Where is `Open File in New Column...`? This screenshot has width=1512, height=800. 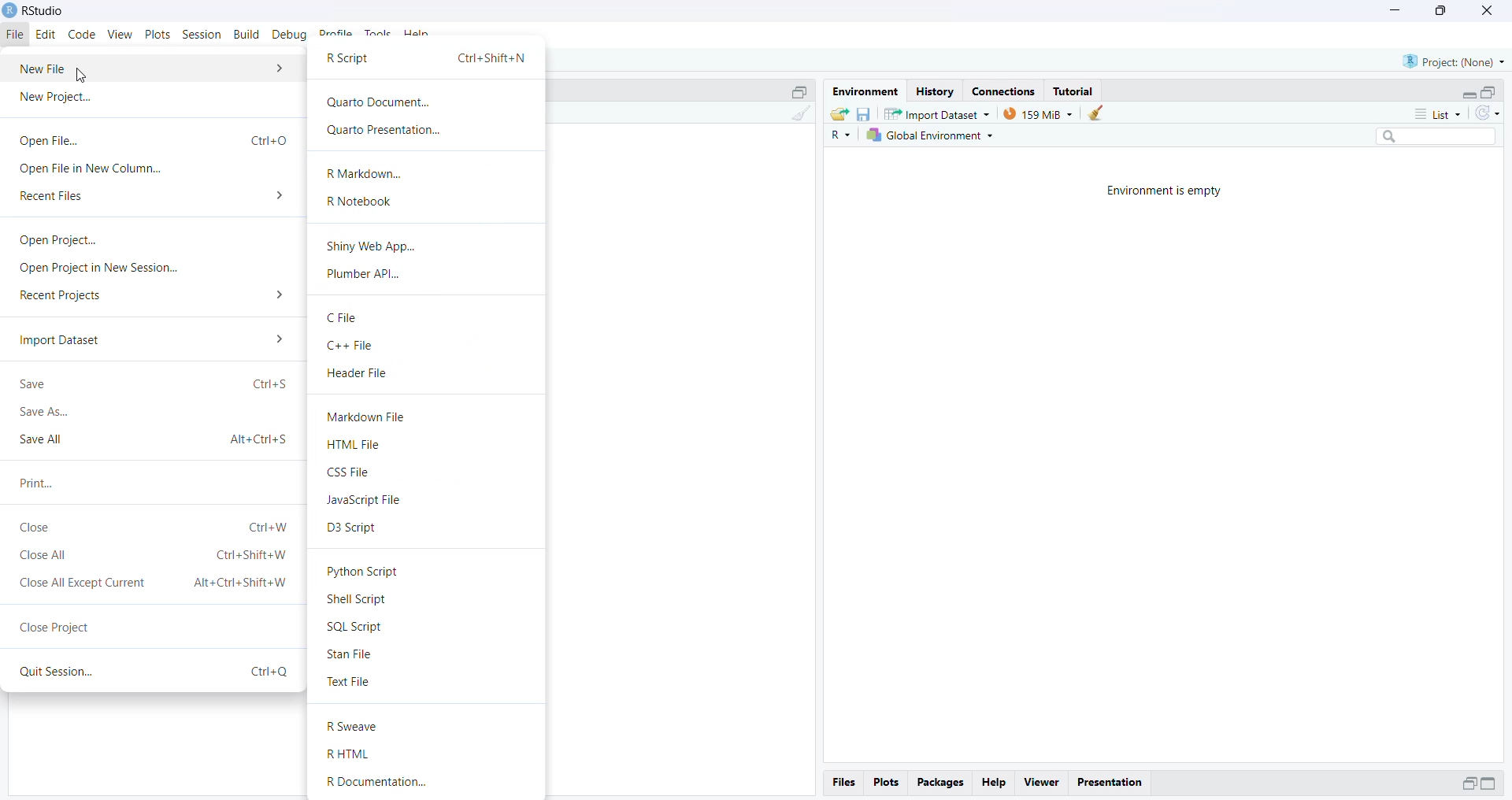 Open File in New Column... is located at coordinates (92, 170).